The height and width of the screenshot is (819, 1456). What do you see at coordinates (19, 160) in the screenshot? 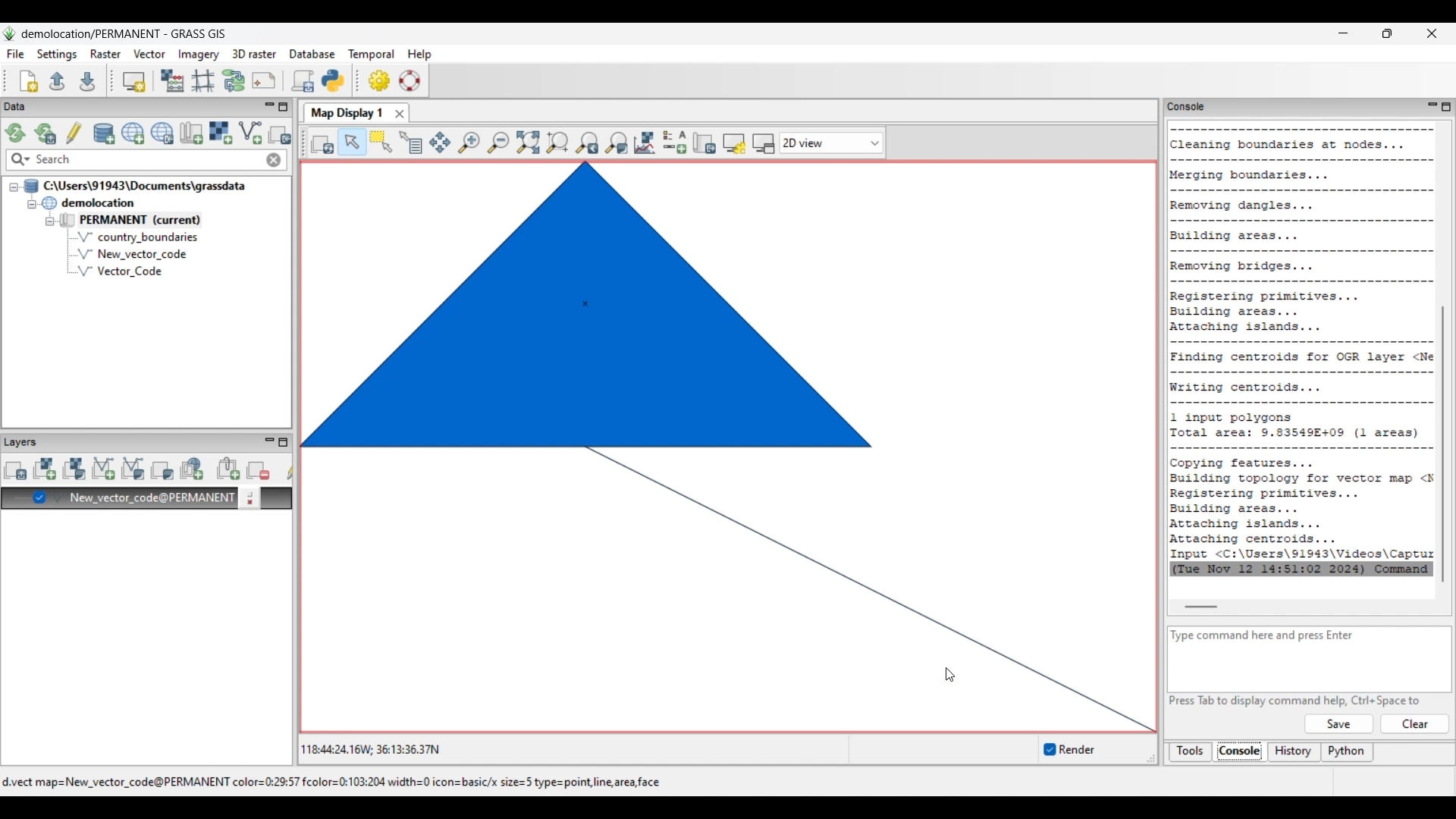
I see `Search specific maps` at bounding box center [19, 160].